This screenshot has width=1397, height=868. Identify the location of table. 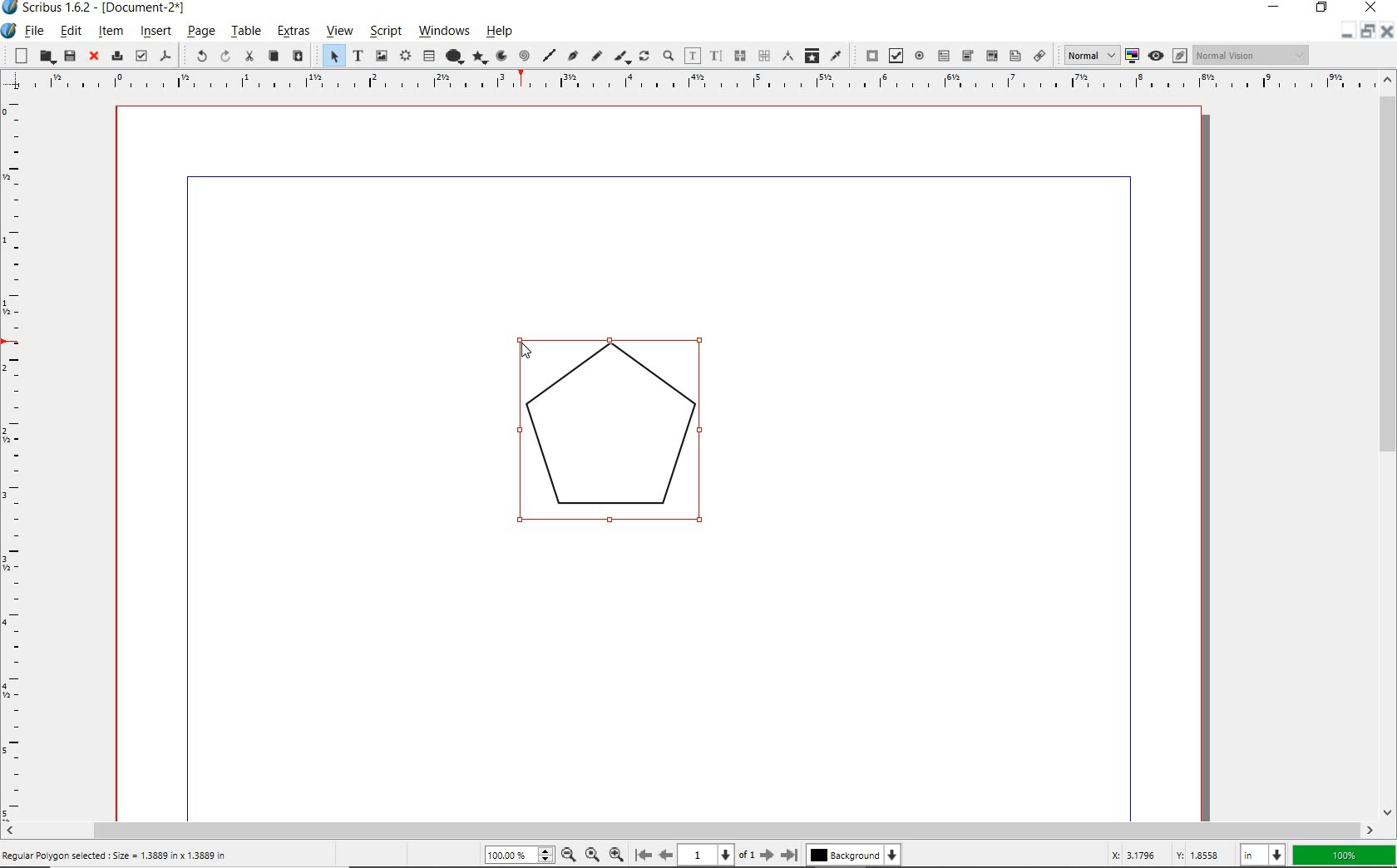
(430, 56).